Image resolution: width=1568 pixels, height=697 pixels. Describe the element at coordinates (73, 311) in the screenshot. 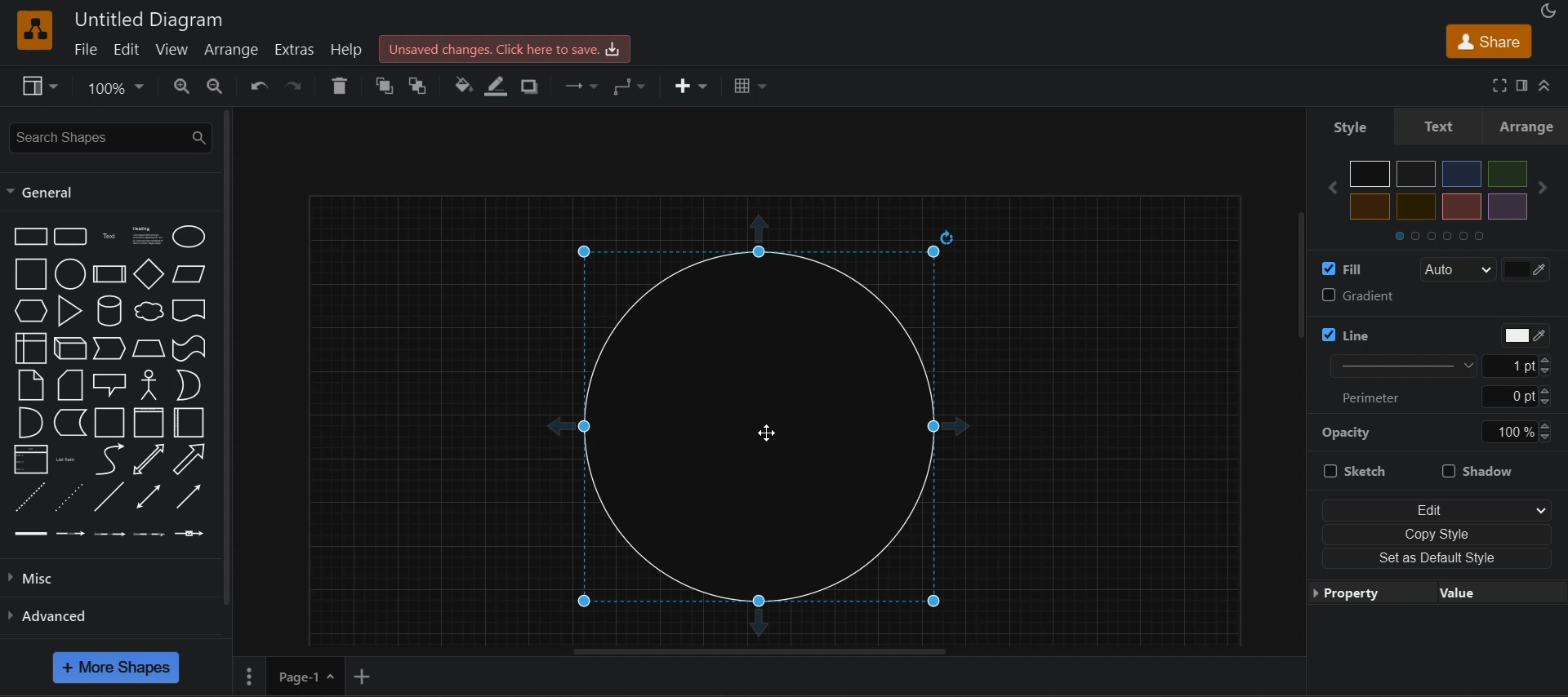

I see `triangle` at that location.